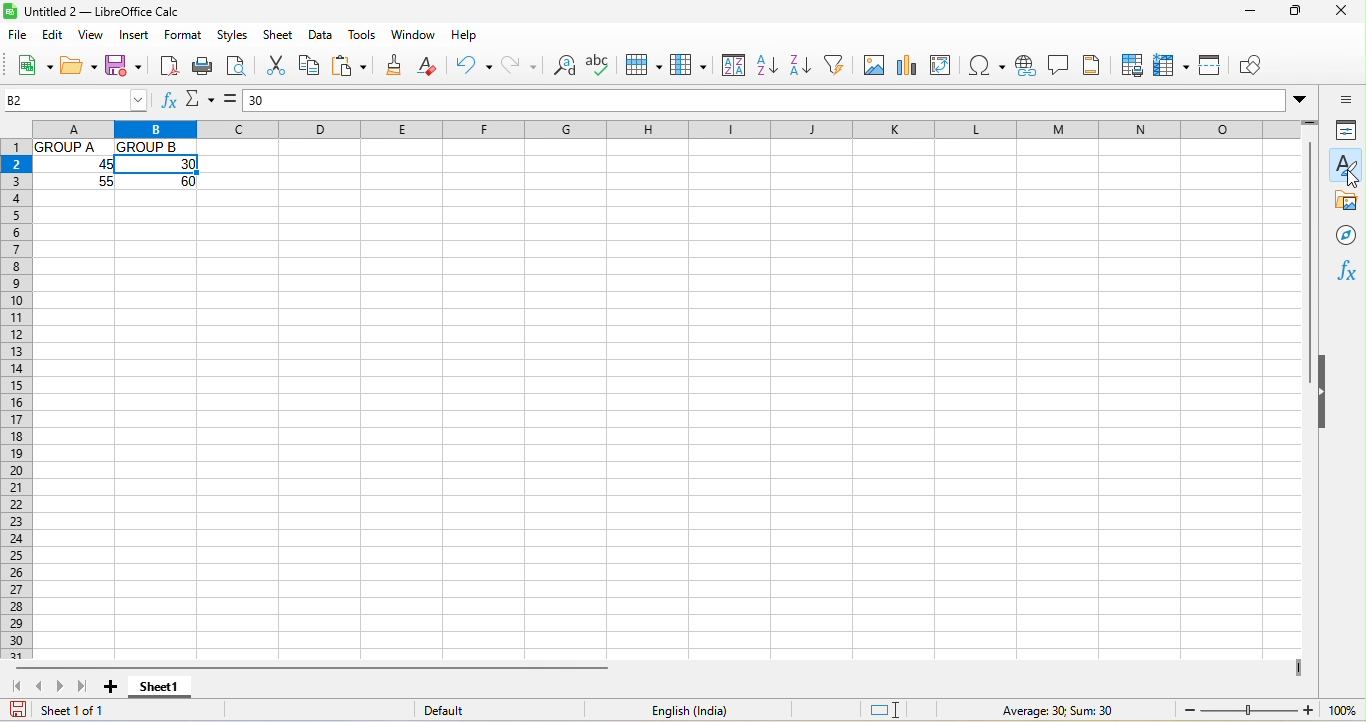 The image size is (1366, 722). Describe the element at coordinates (1323, 391) in the screenshot. I see `hide` at that location.